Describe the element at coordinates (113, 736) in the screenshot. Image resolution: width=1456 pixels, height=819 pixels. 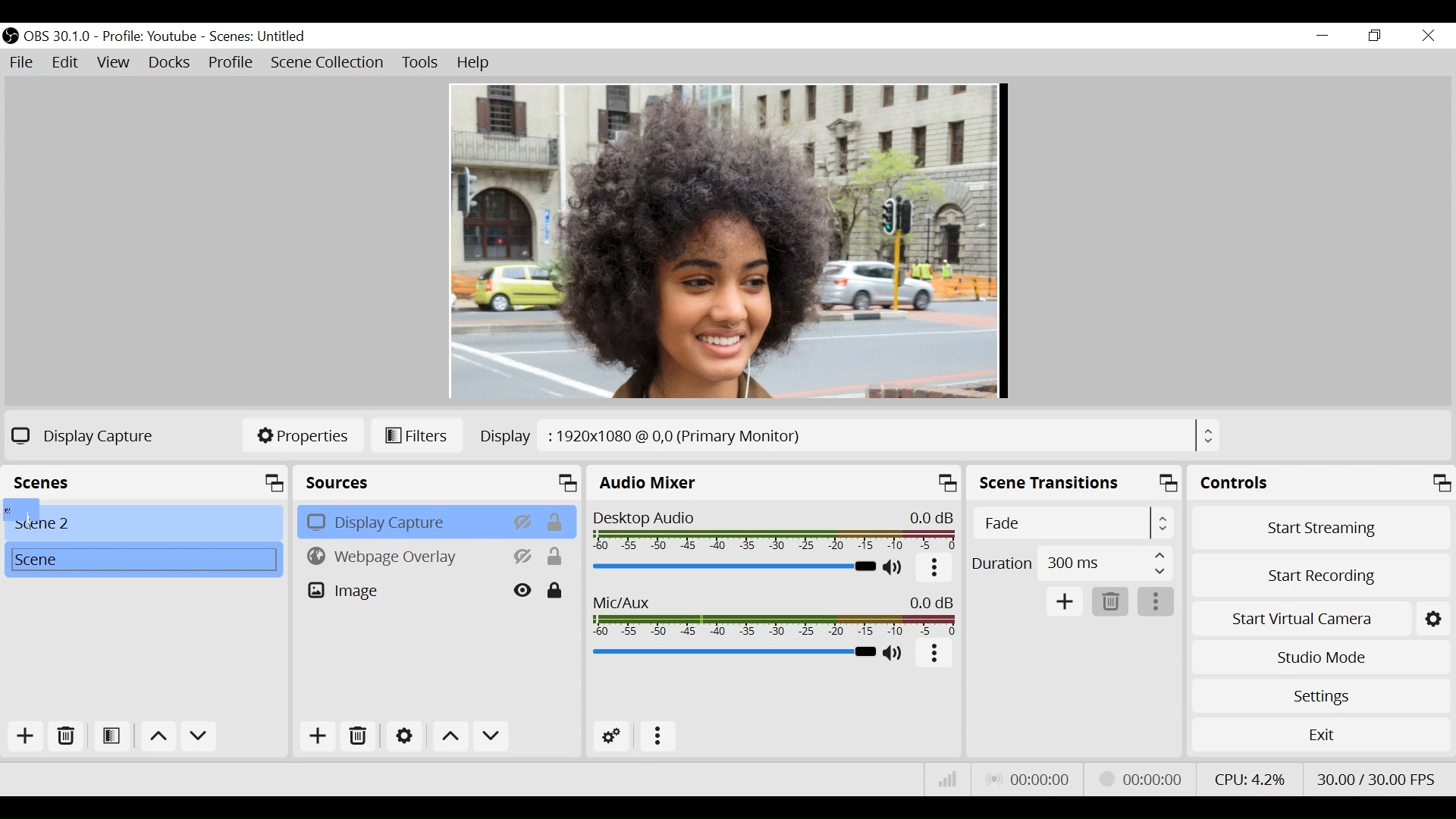
I see `Open Filter Scene` at that location.